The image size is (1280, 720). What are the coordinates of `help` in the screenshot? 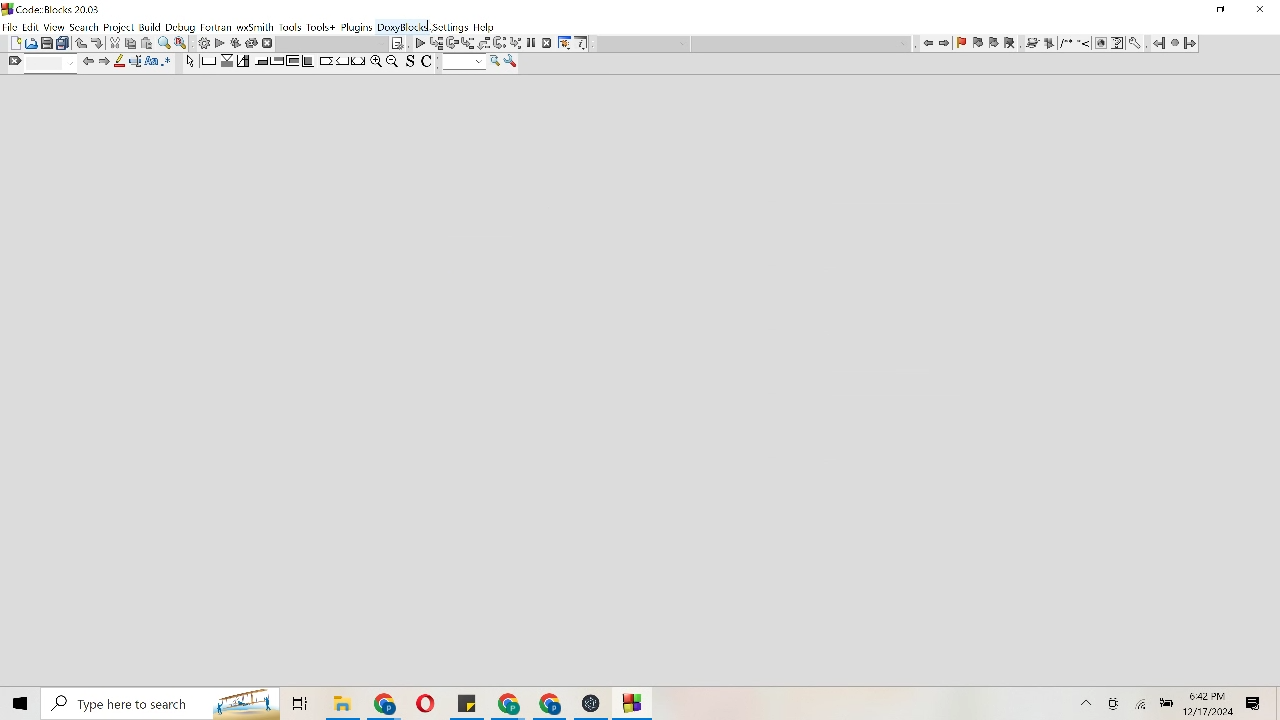 It's located at (484, 27).